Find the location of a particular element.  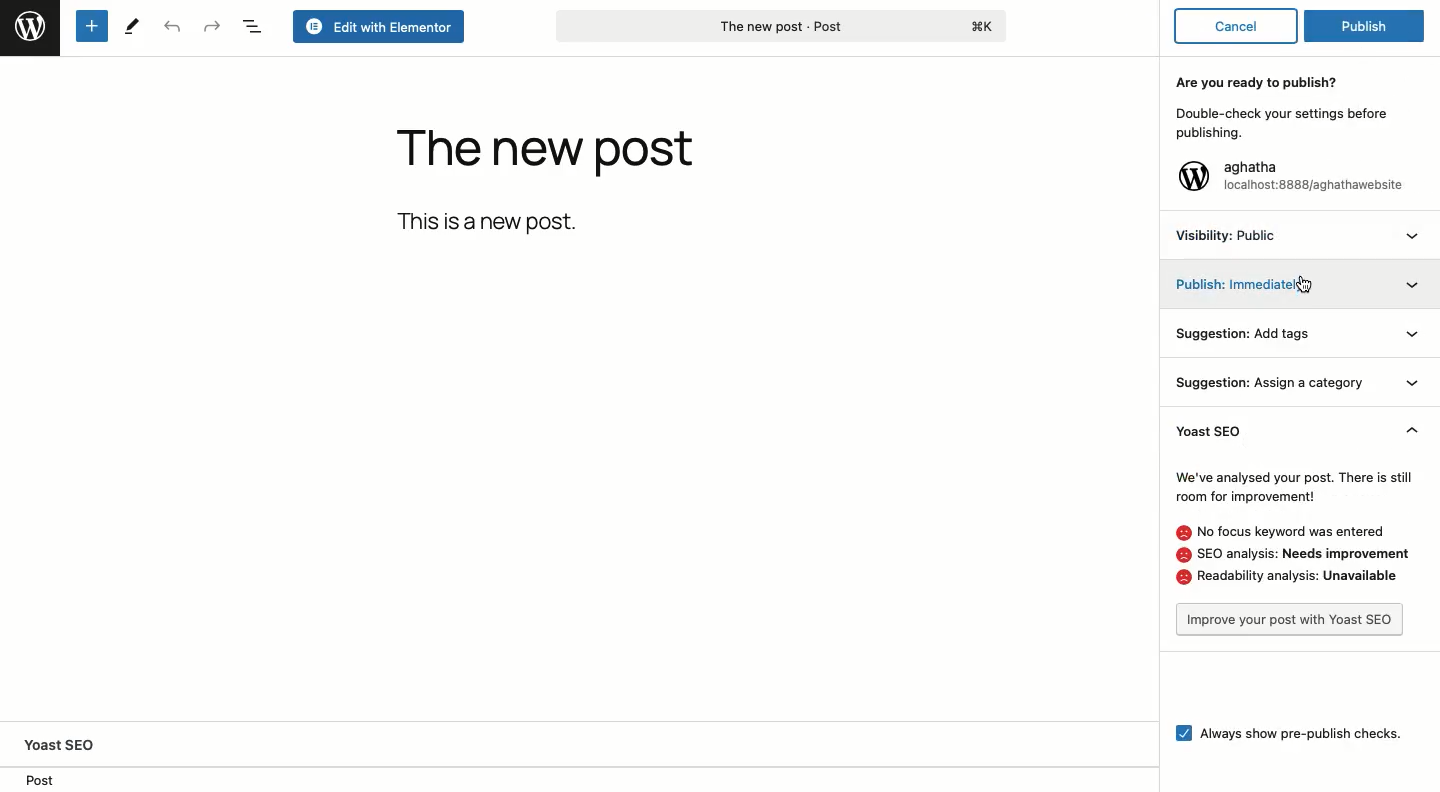

Redo is located at coordinates (213, 25).